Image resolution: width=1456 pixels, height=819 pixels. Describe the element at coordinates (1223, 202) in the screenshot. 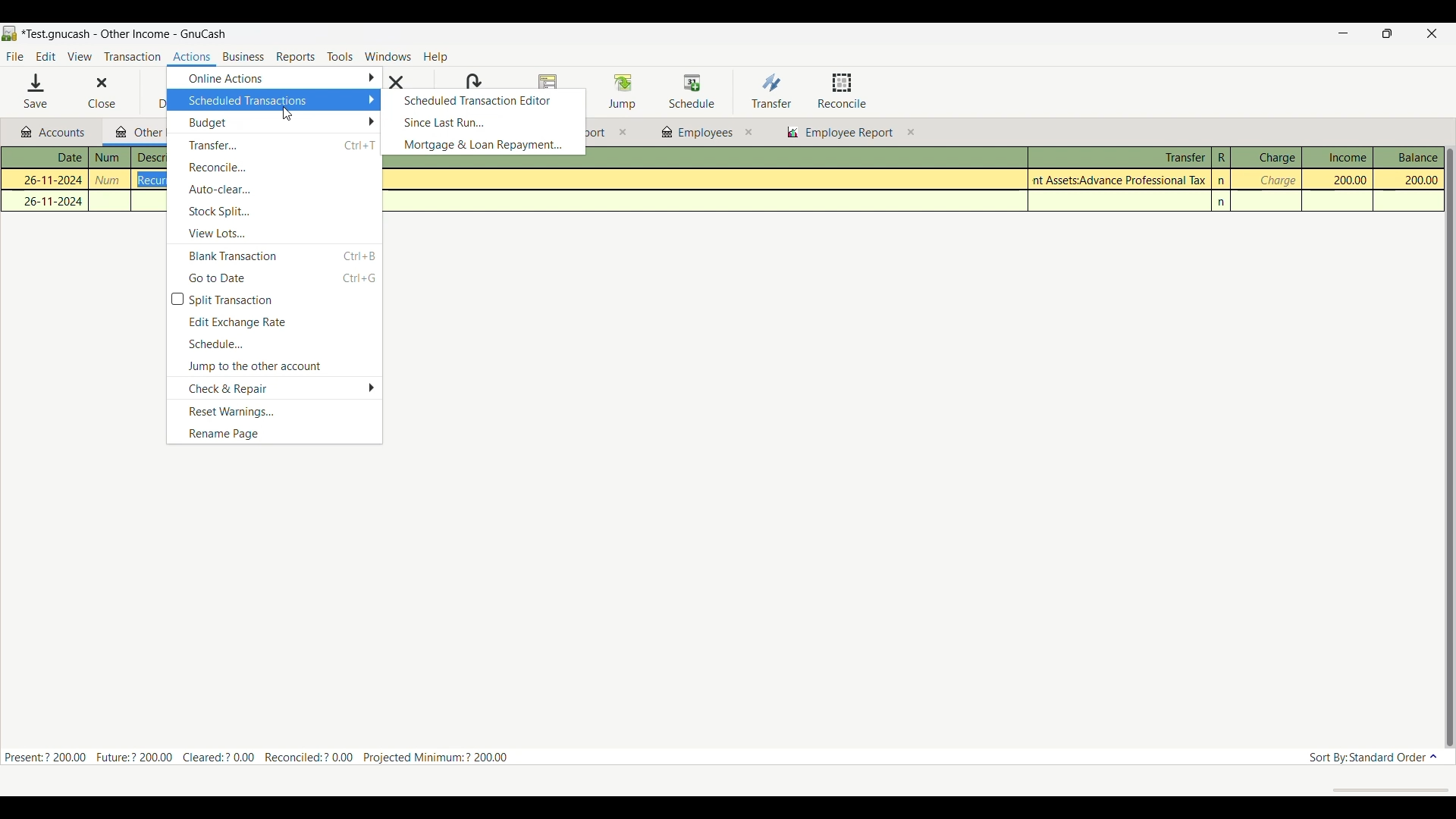

I see `n` at that location.